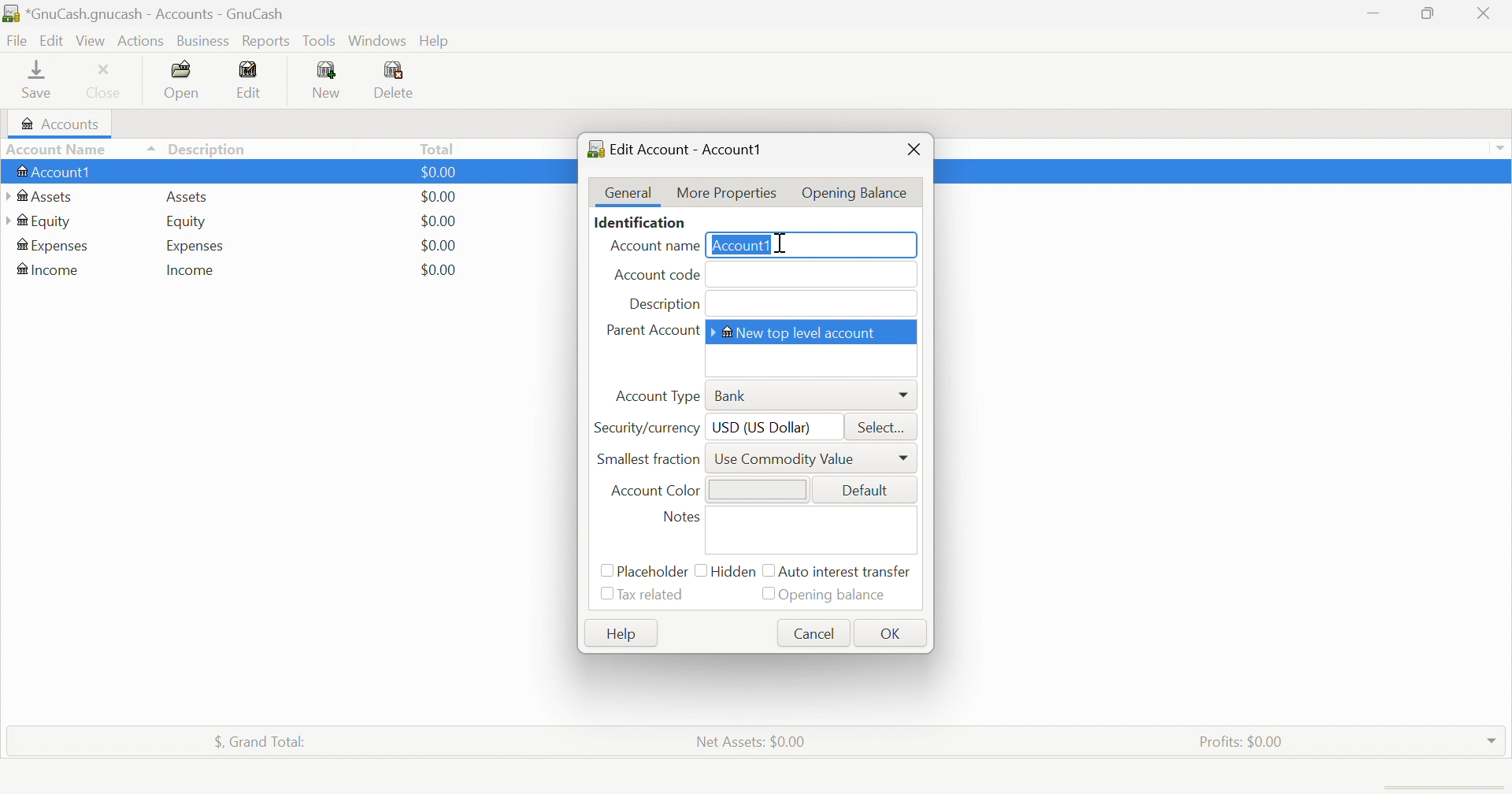 This screenshot has height=794, width=1512. I want to click on Hidden, so click(728, 570).